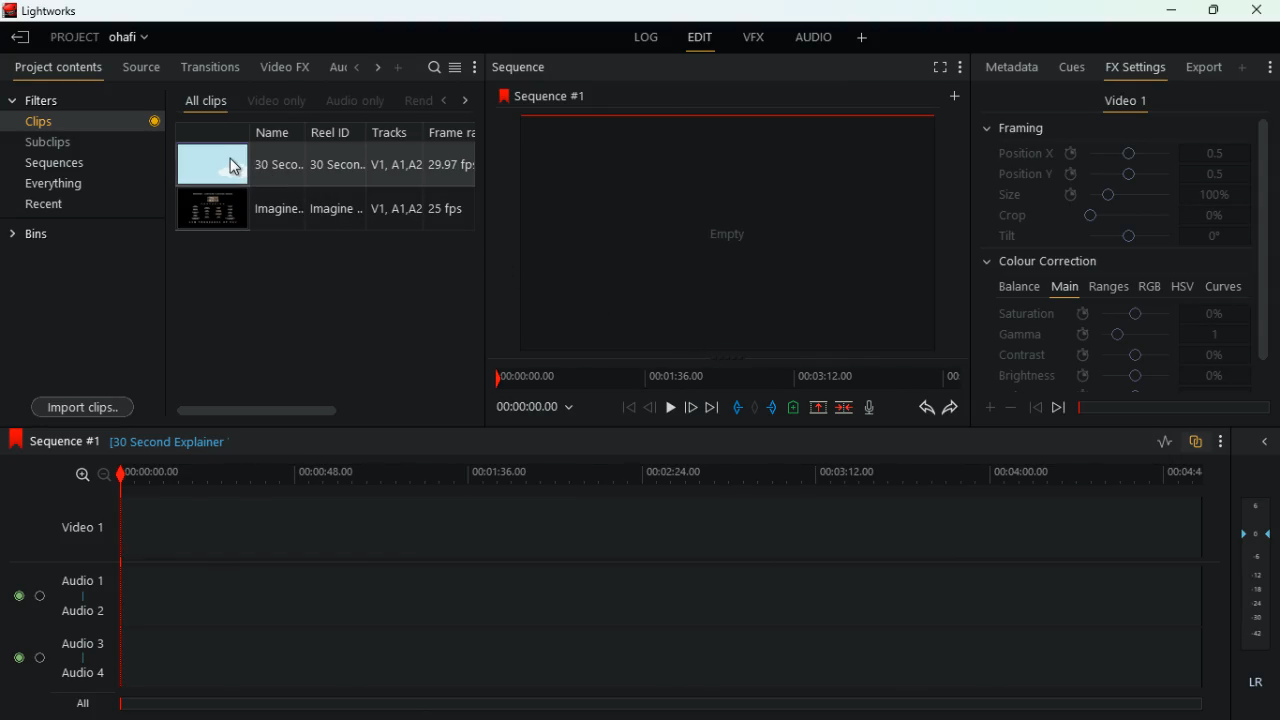  What do you see at coordinates (1121, 173) in the screenshot?
I see `position y` at bounding box center [1121, 173].